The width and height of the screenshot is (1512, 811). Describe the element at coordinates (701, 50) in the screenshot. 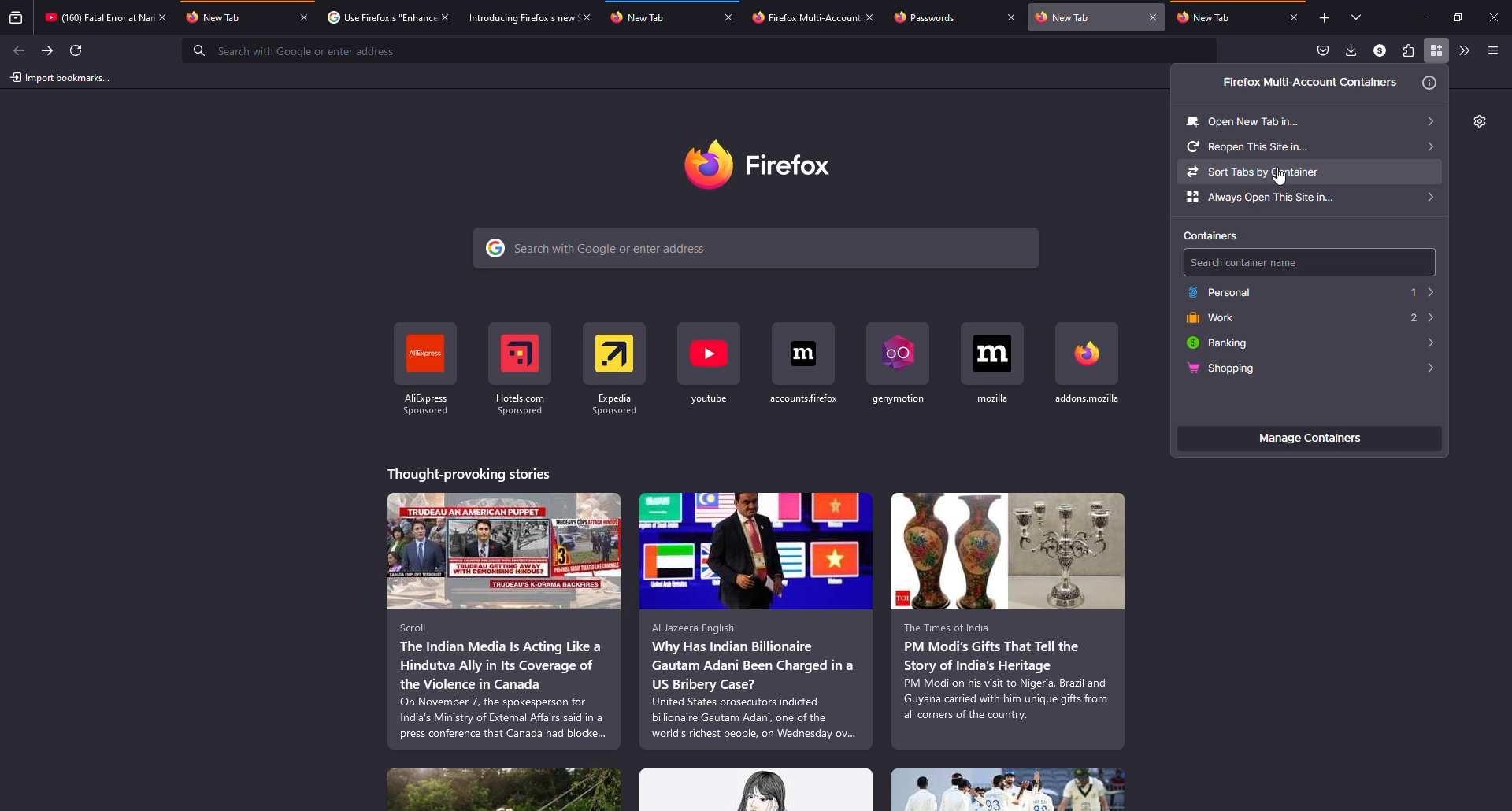

I see `search` at that location.